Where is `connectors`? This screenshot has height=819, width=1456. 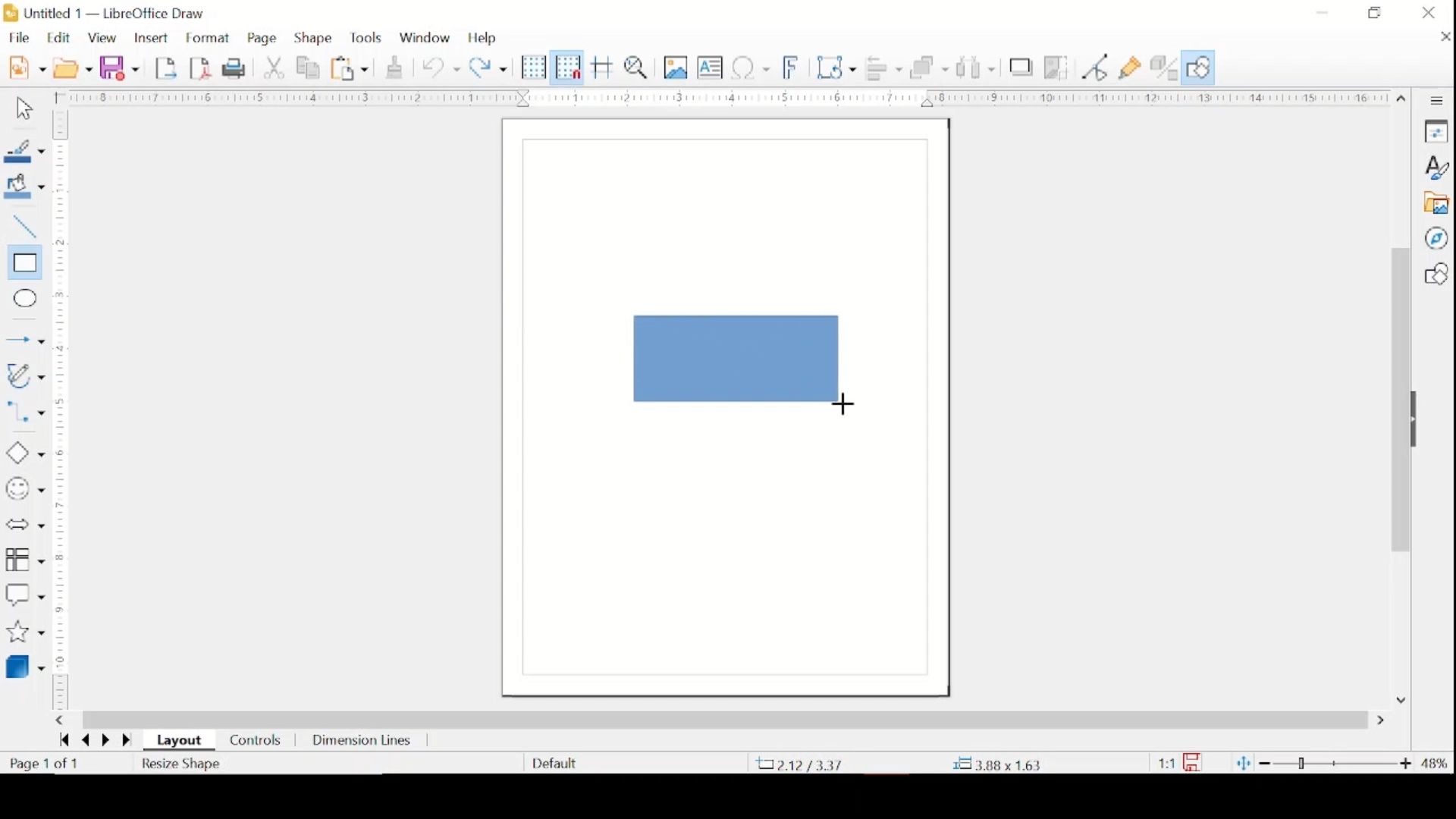
connectors is located at coordinates (25, 415).